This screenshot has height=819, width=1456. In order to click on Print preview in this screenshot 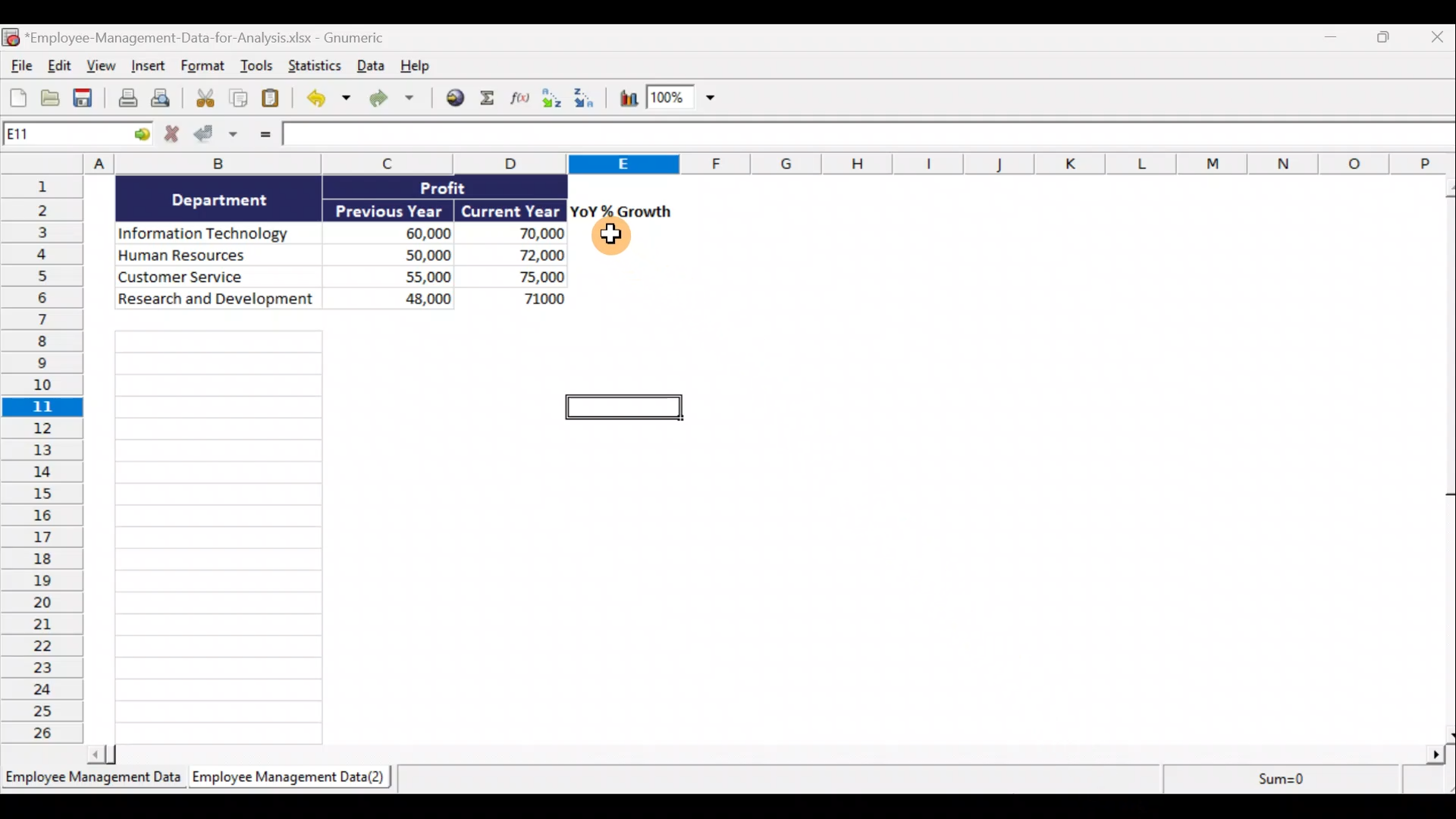, I will do `click(162, 99)`.